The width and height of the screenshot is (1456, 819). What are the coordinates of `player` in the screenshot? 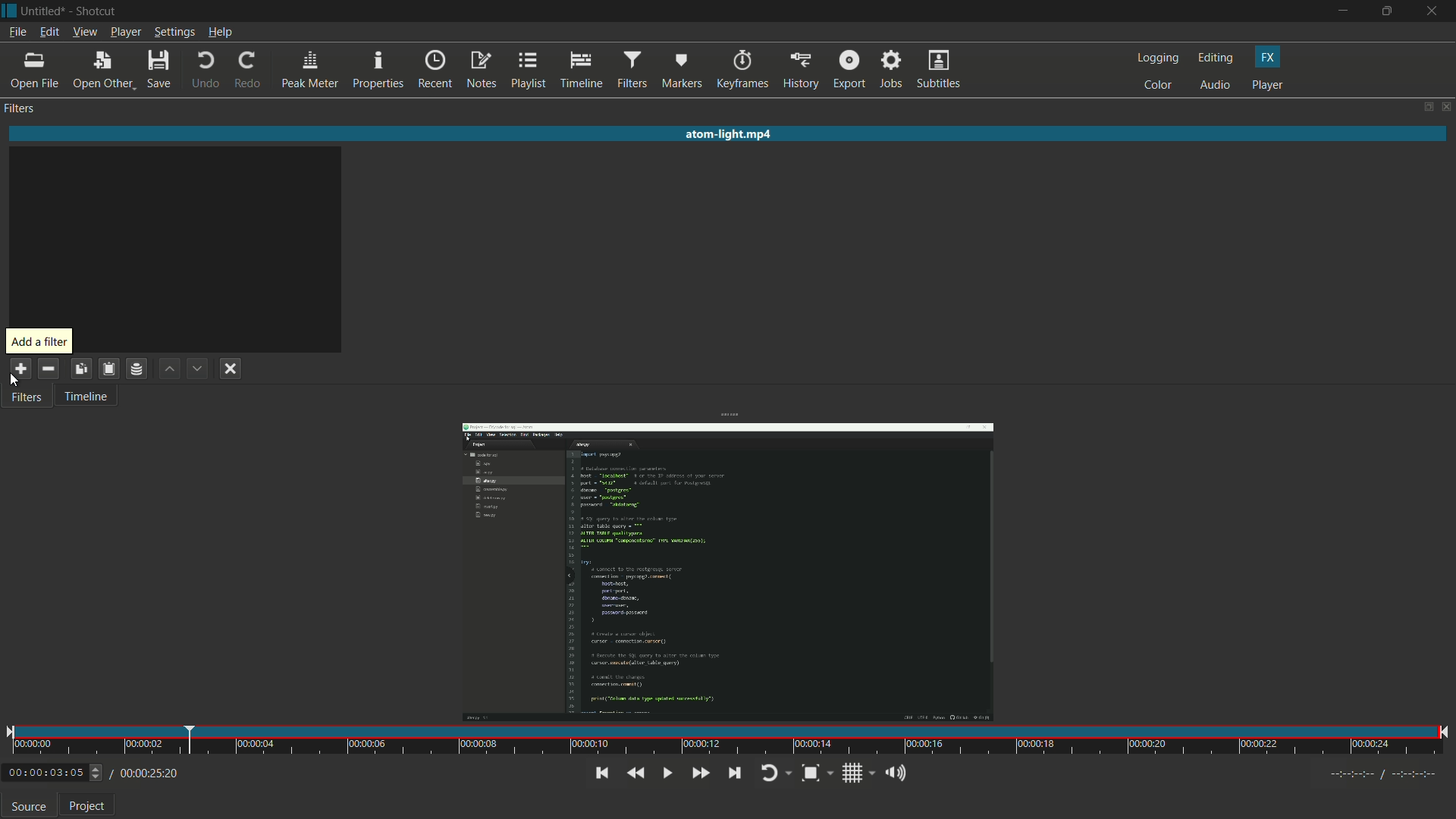 It's located at (1267, 86).